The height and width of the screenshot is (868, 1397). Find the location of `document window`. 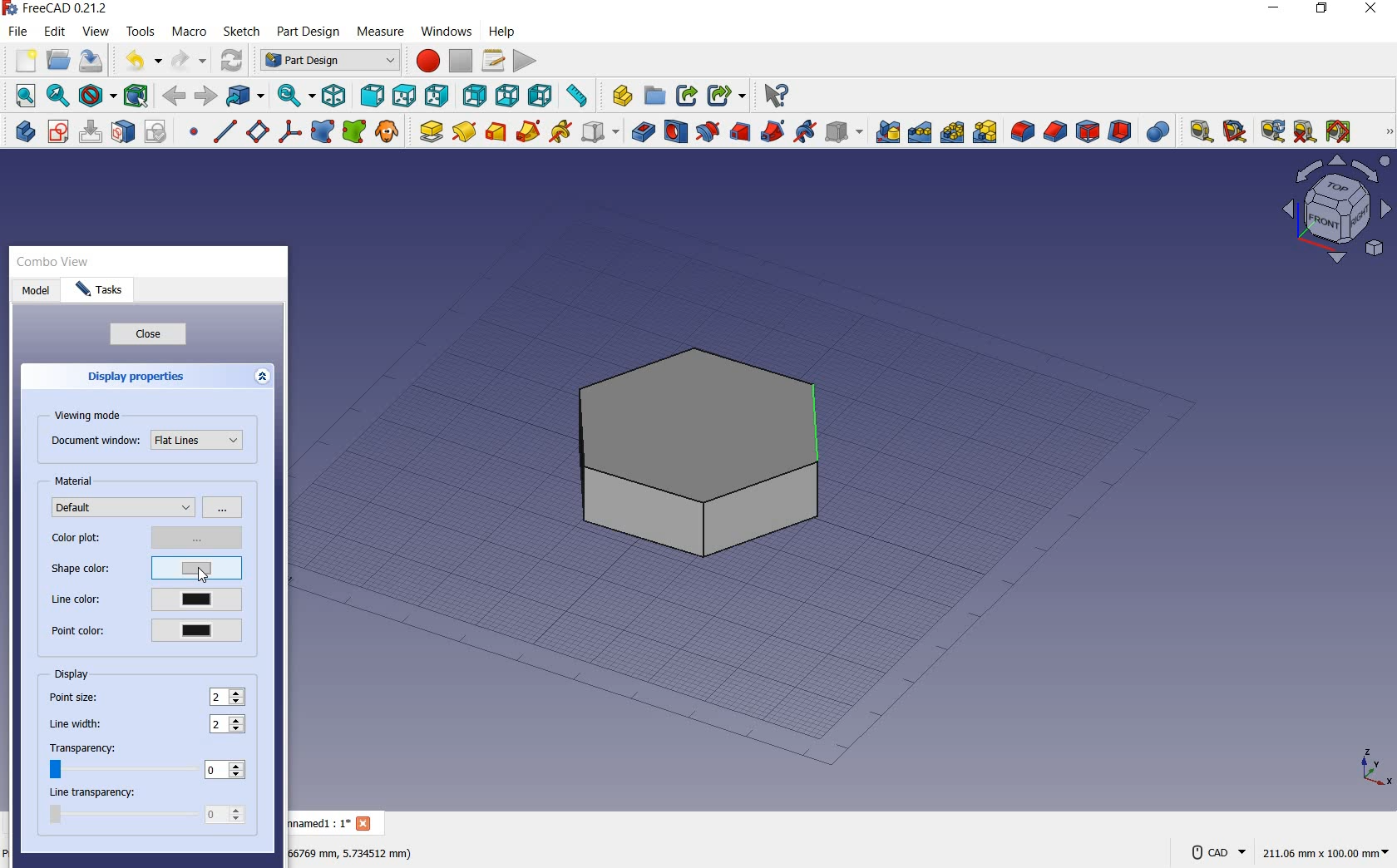

document window is located at coordinates (92, 440).